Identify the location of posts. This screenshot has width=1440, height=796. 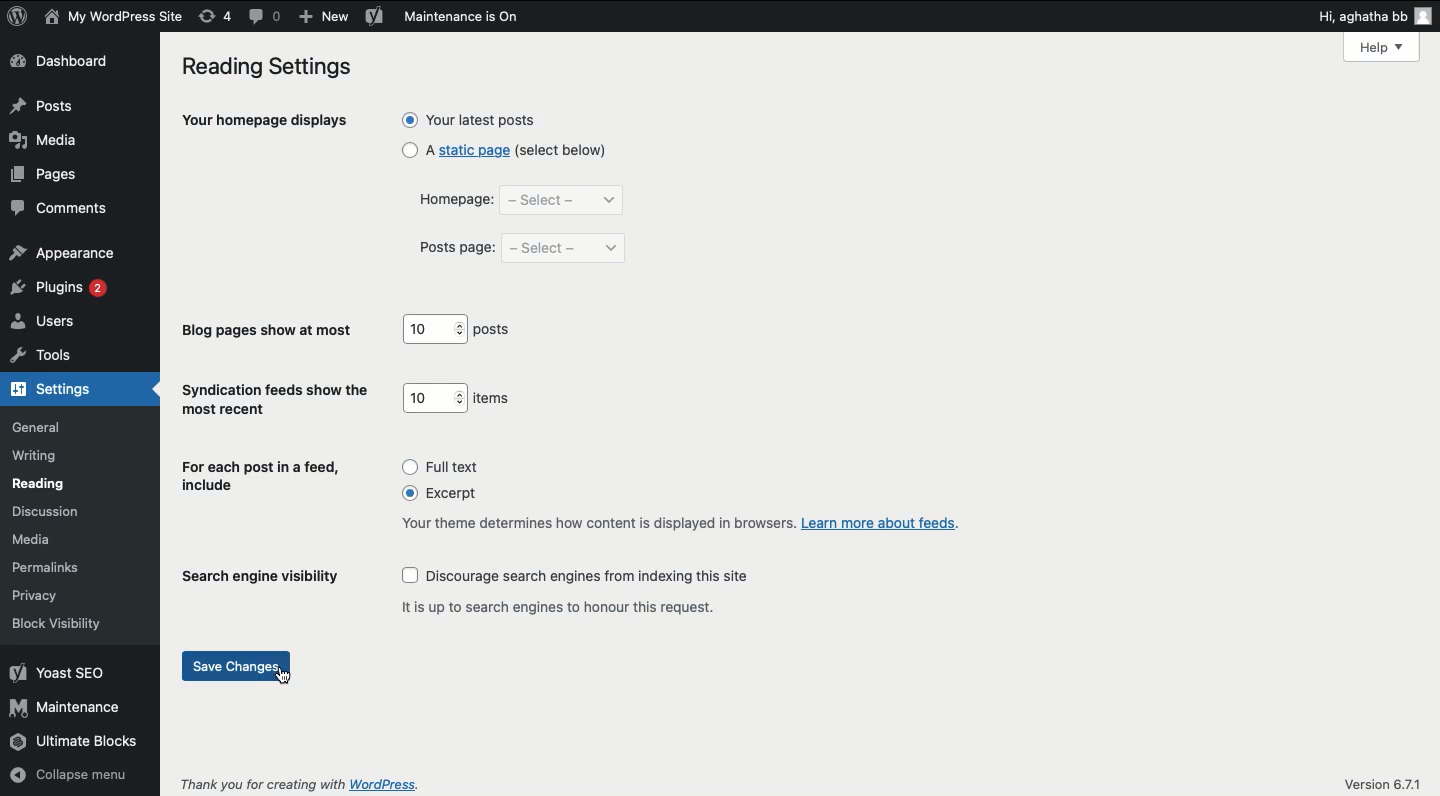
(45, 105).